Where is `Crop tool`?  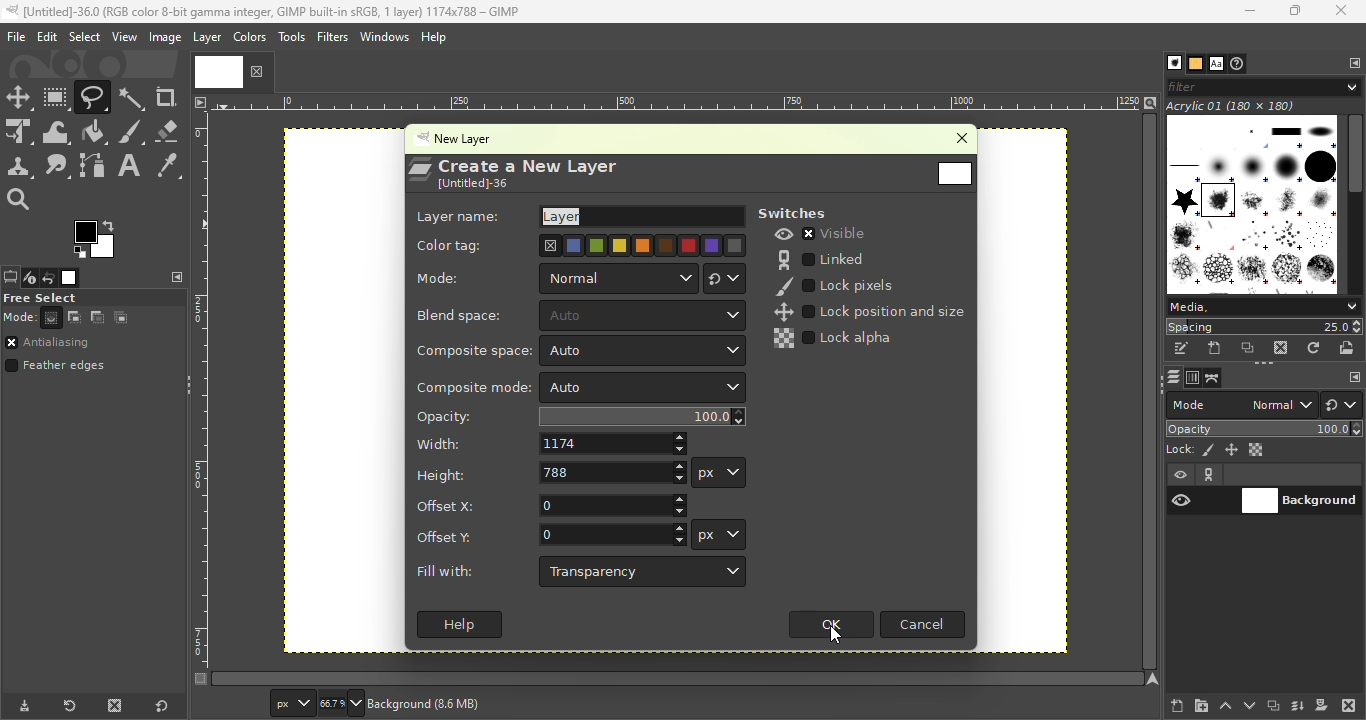 Crop tool is located at coordinates (169, 98).